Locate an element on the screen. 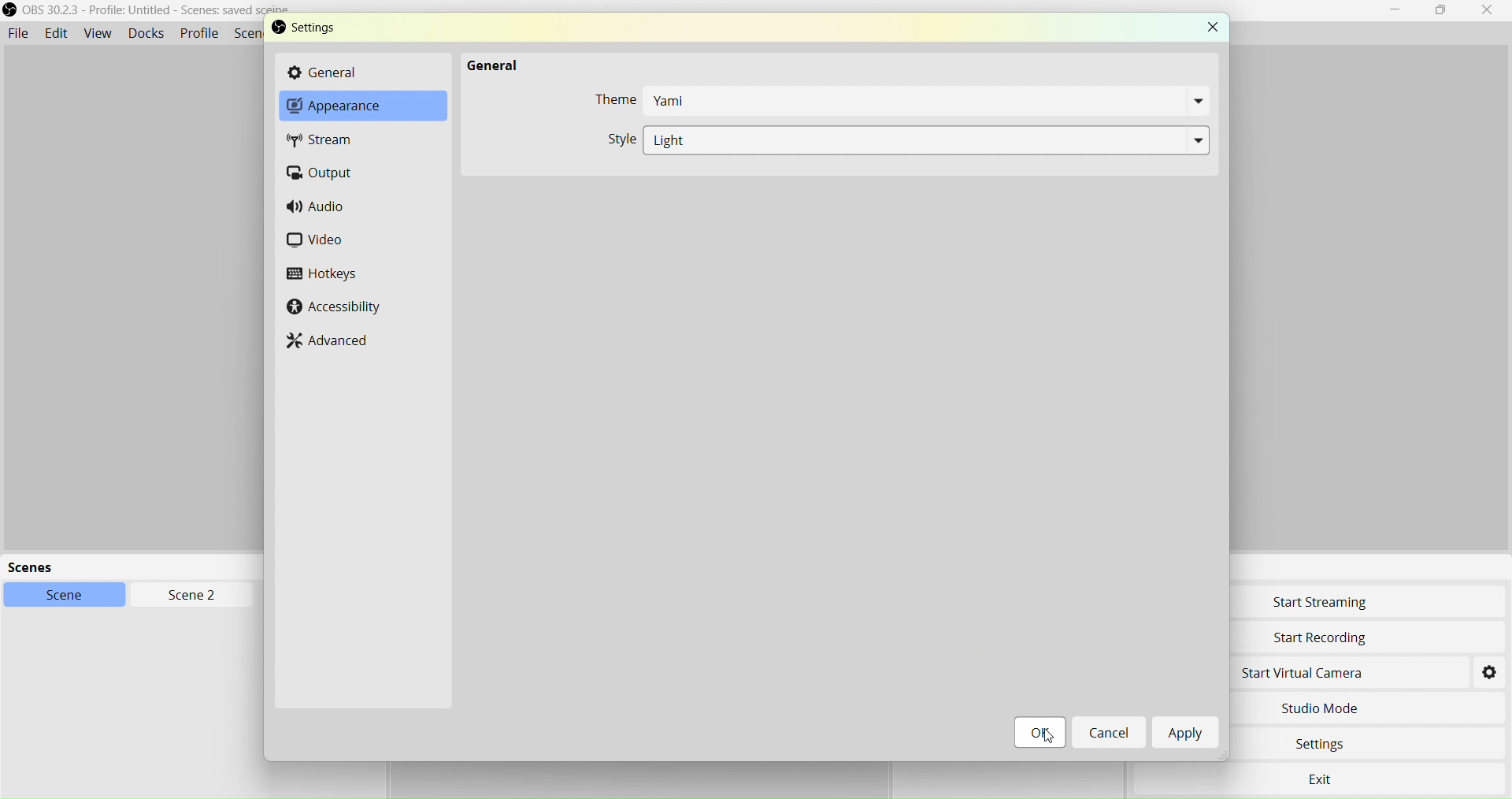  Video is located at coordinates (328, 242).